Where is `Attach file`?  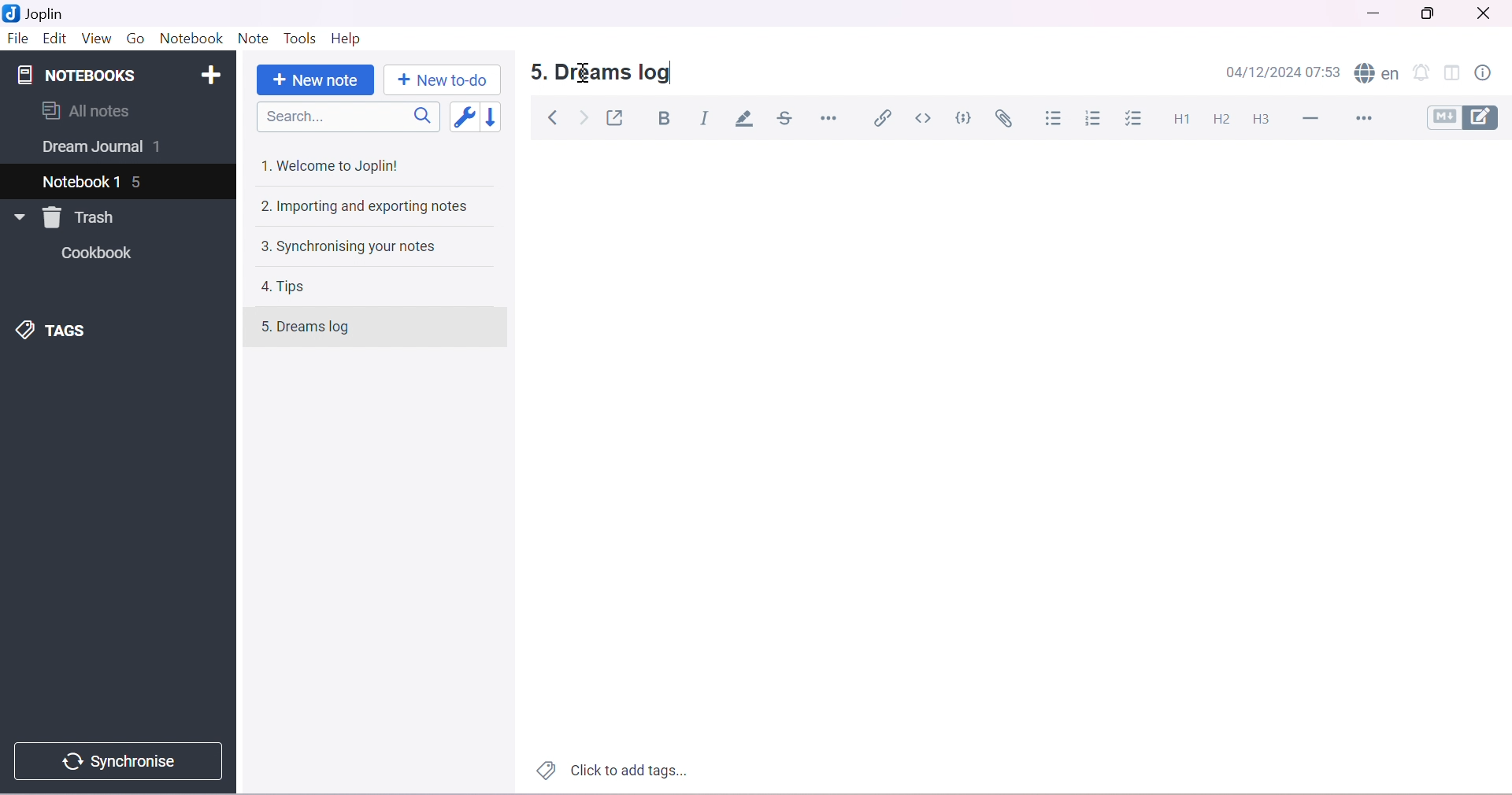
Attach file is located at coordinates (1007, 120).